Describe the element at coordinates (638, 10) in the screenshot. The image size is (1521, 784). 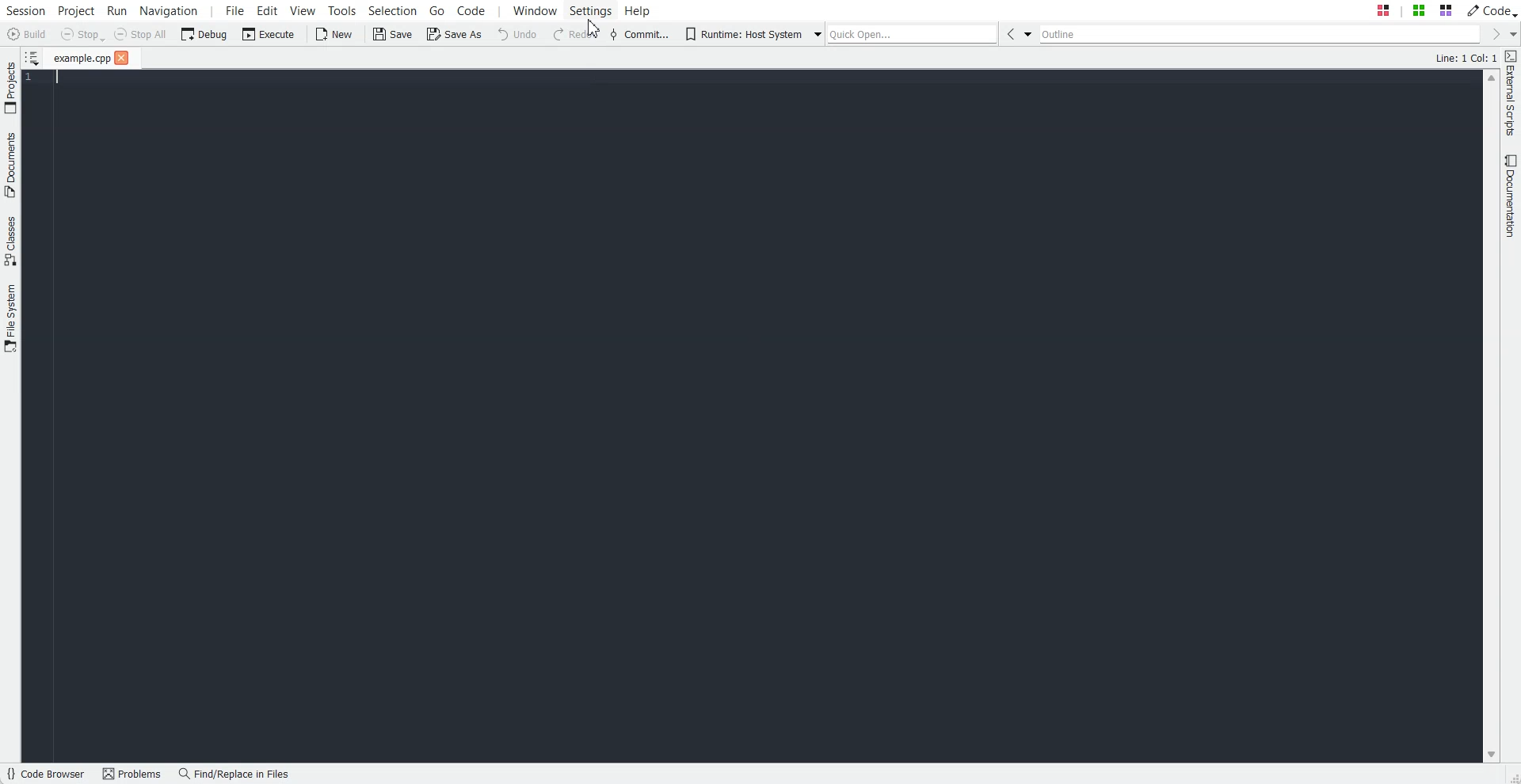
I see `Help` at that location.